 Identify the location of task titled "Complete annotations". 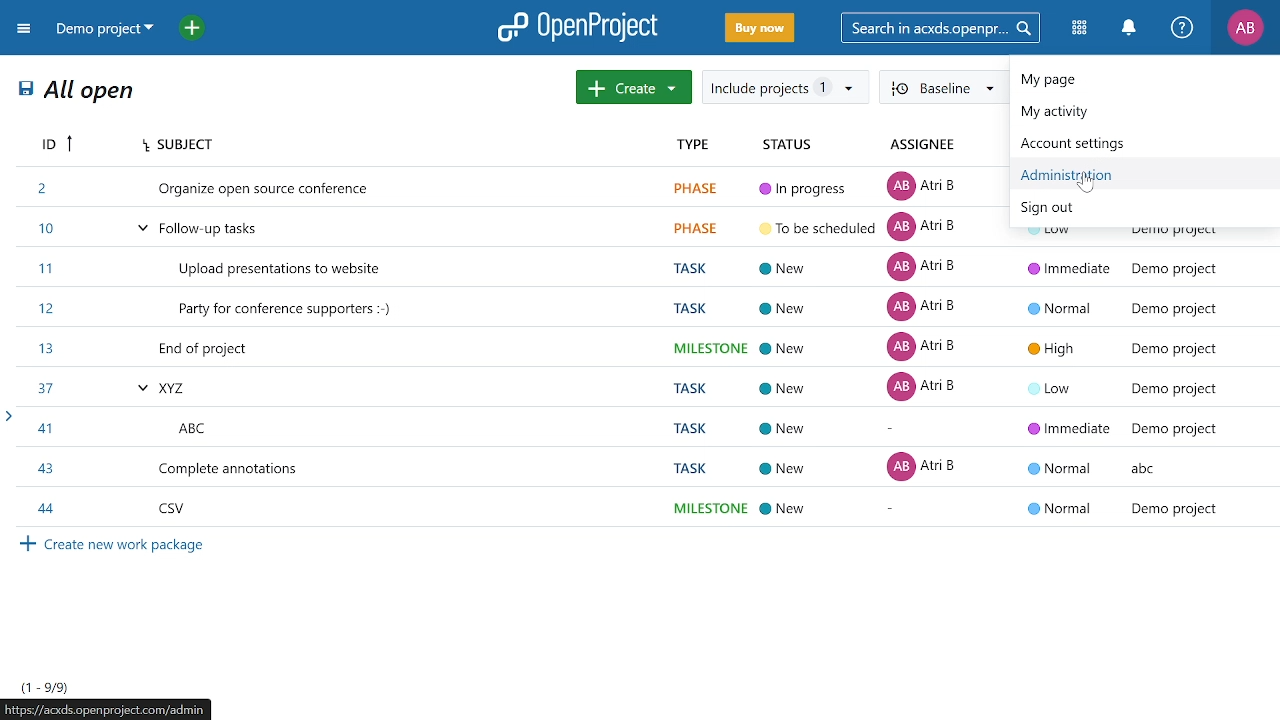
(640, 467).